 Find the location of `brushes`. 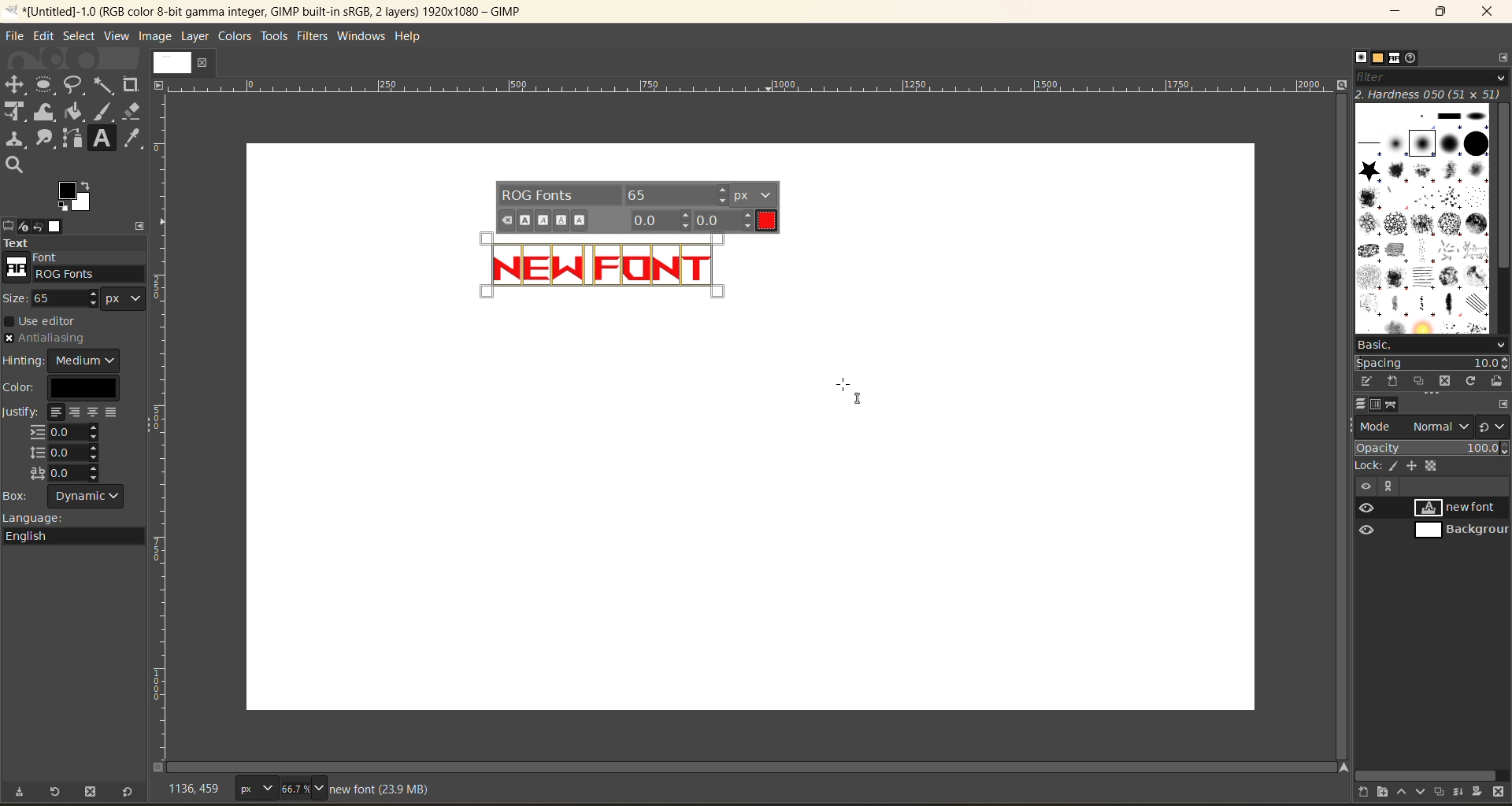

brushes is located at coordinates (1423, 221).